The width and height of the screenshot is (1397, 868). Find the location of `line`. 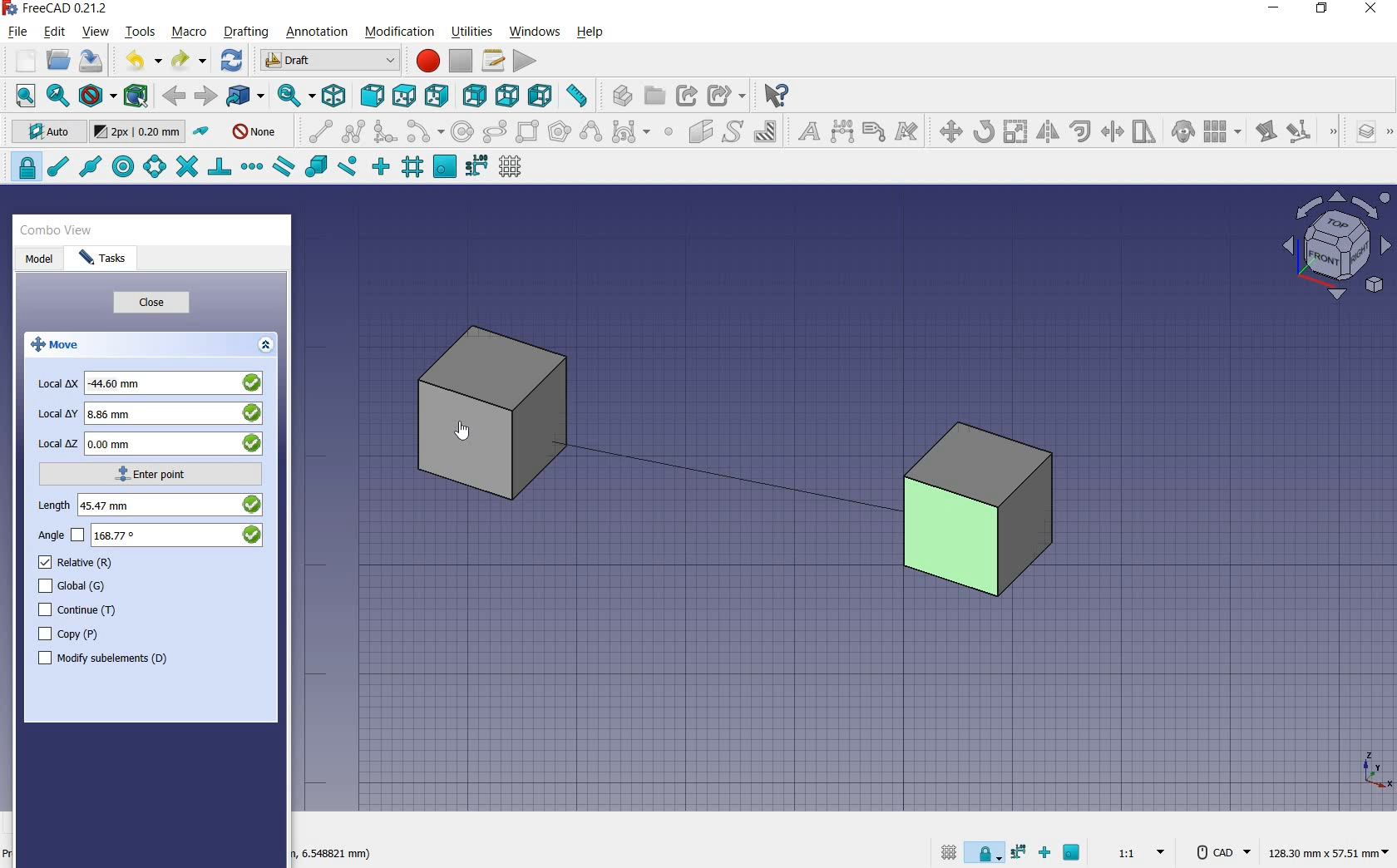

line is located at coordinates (316, 131).